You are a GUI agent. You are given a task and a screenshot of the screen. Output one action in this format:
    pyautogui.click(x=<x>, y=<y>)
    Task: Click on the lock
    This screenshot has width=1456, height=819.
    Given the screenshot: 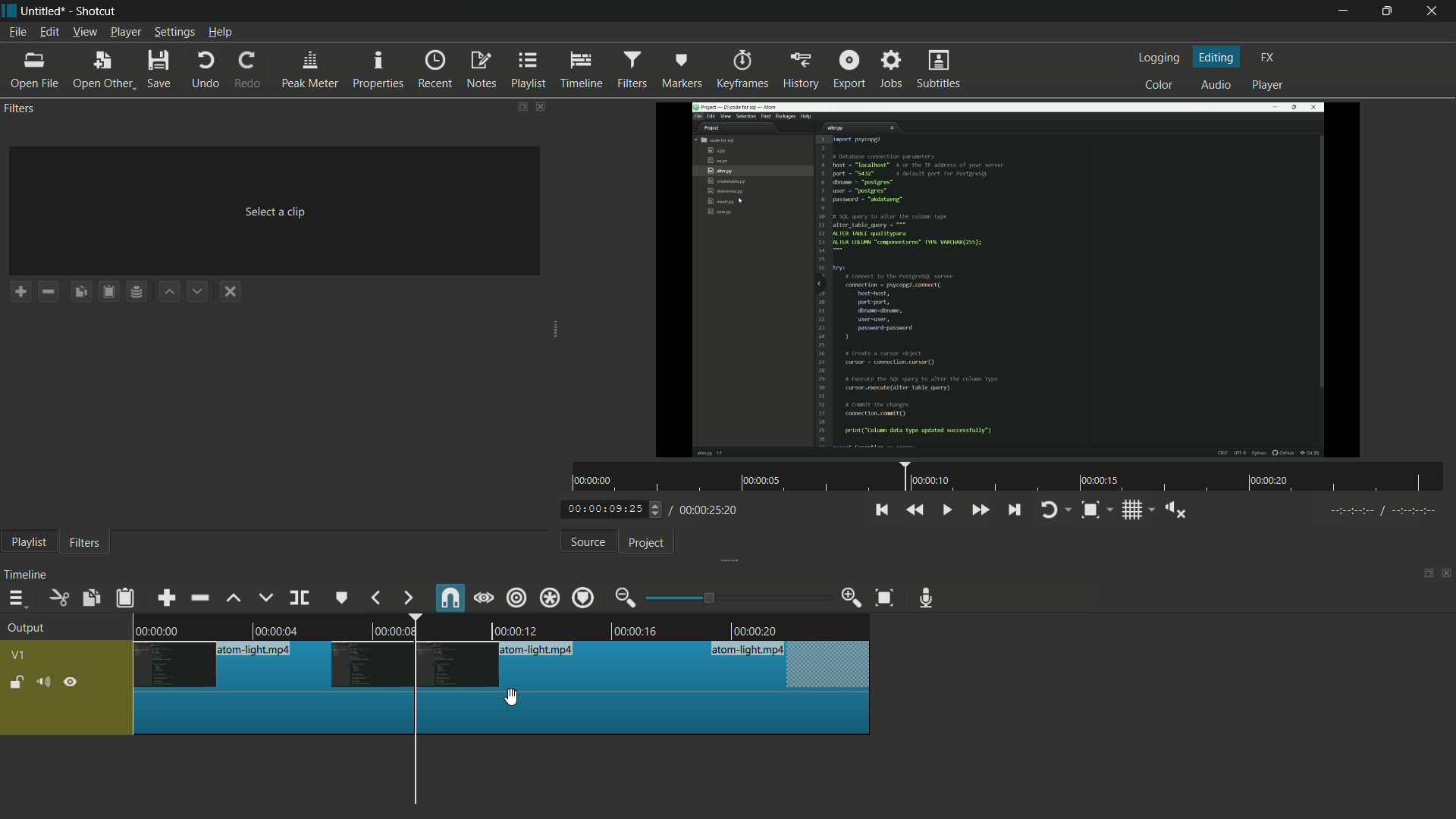 What is the action you would take?
    pyautogui.click(x=17, y=683)
    